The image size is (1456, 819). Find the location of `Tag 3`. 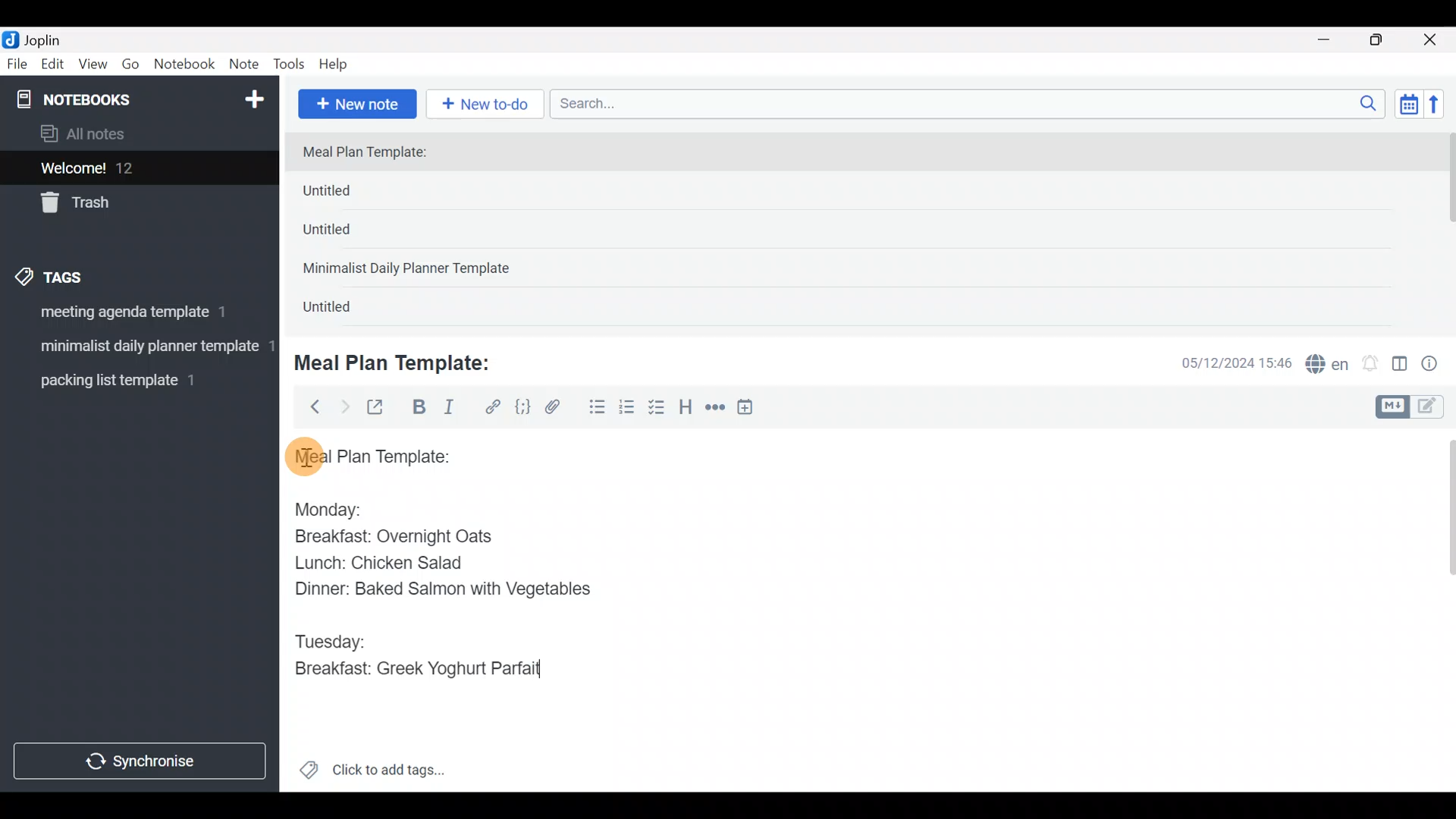

Tag 3 is located at coordinates (134, 380).